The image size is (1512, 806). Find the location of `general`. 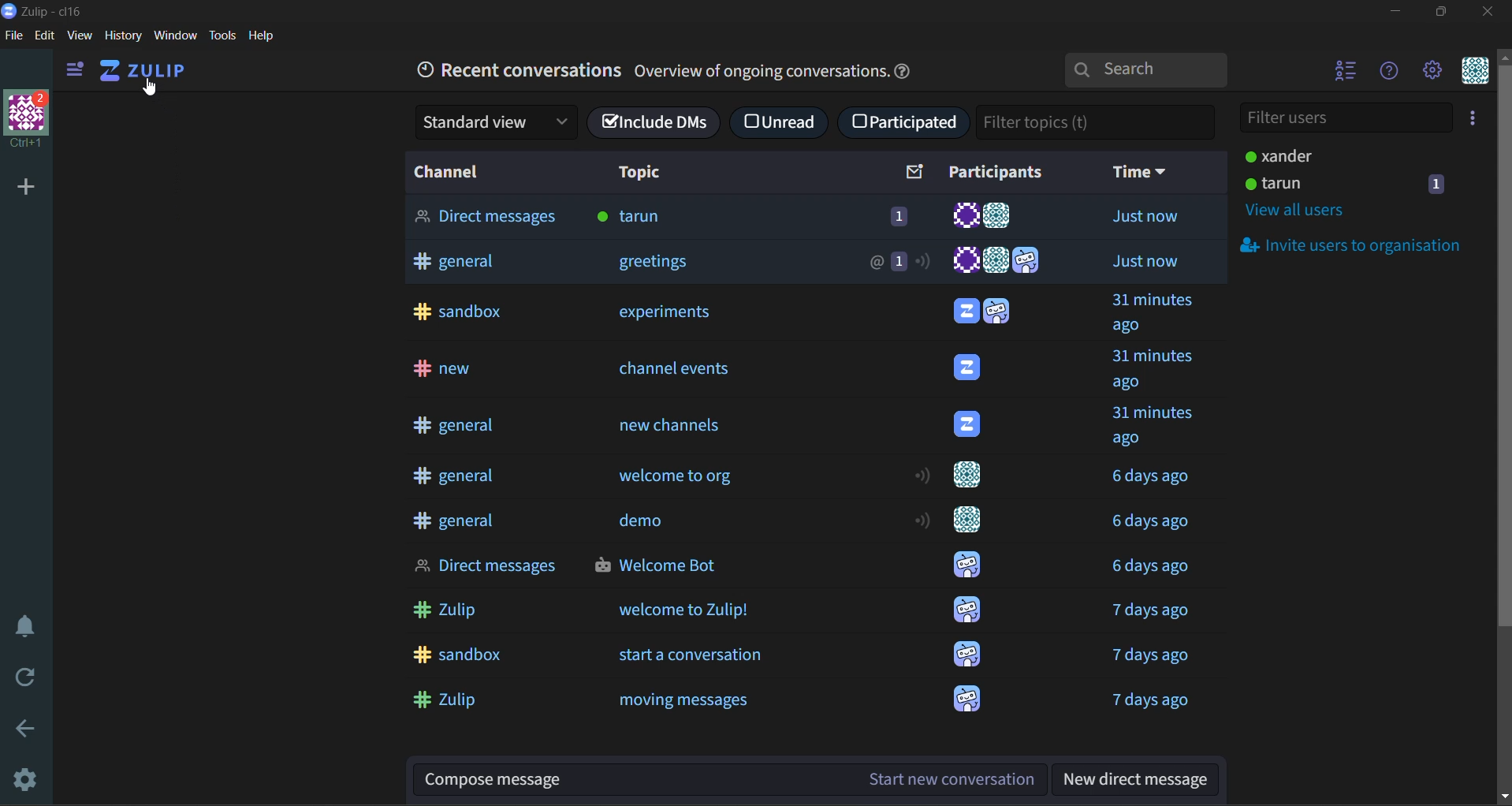

general is located at coordinates (466, 521).